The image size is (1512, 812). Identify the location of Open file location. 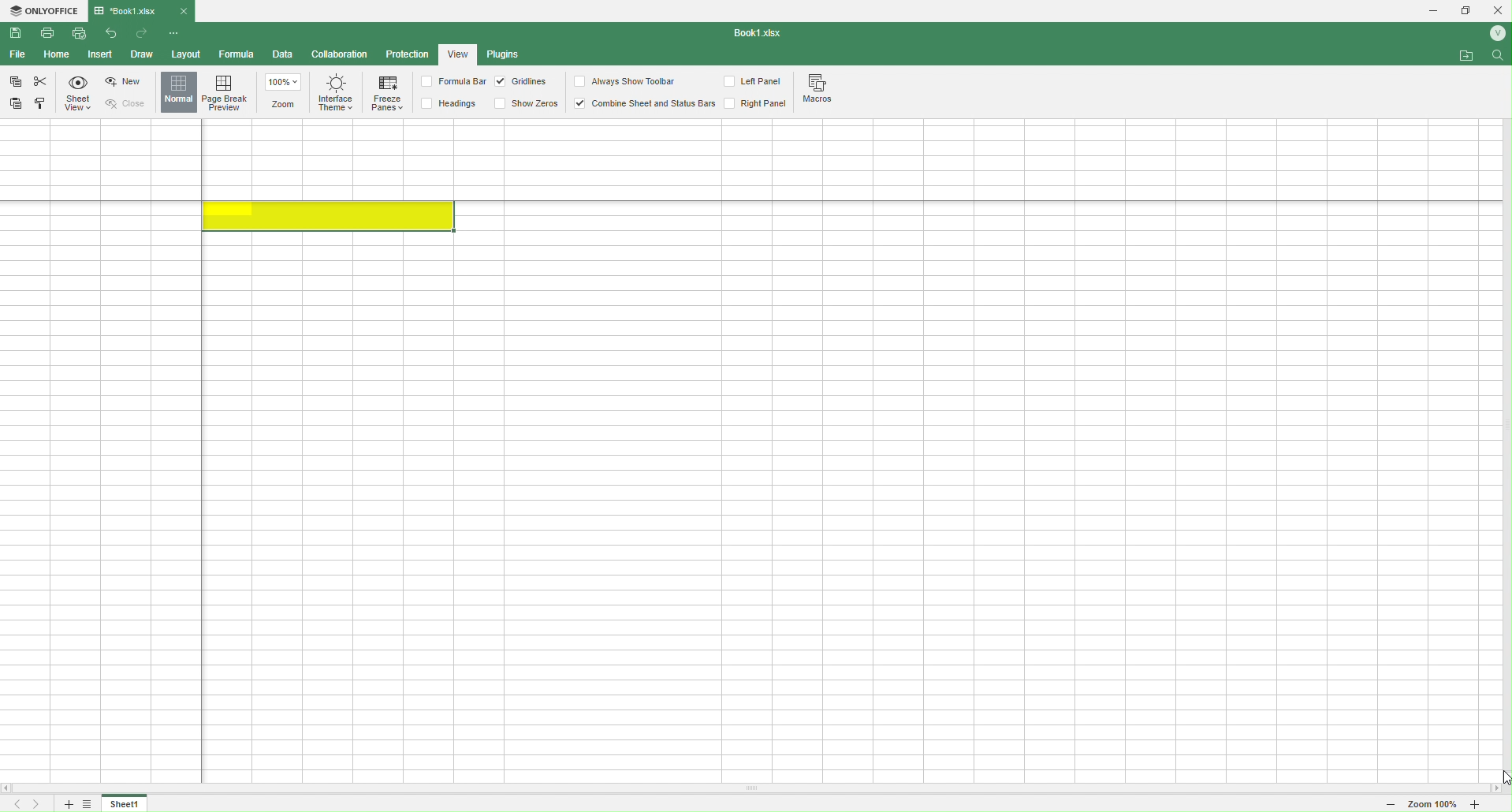
(1467, 55).